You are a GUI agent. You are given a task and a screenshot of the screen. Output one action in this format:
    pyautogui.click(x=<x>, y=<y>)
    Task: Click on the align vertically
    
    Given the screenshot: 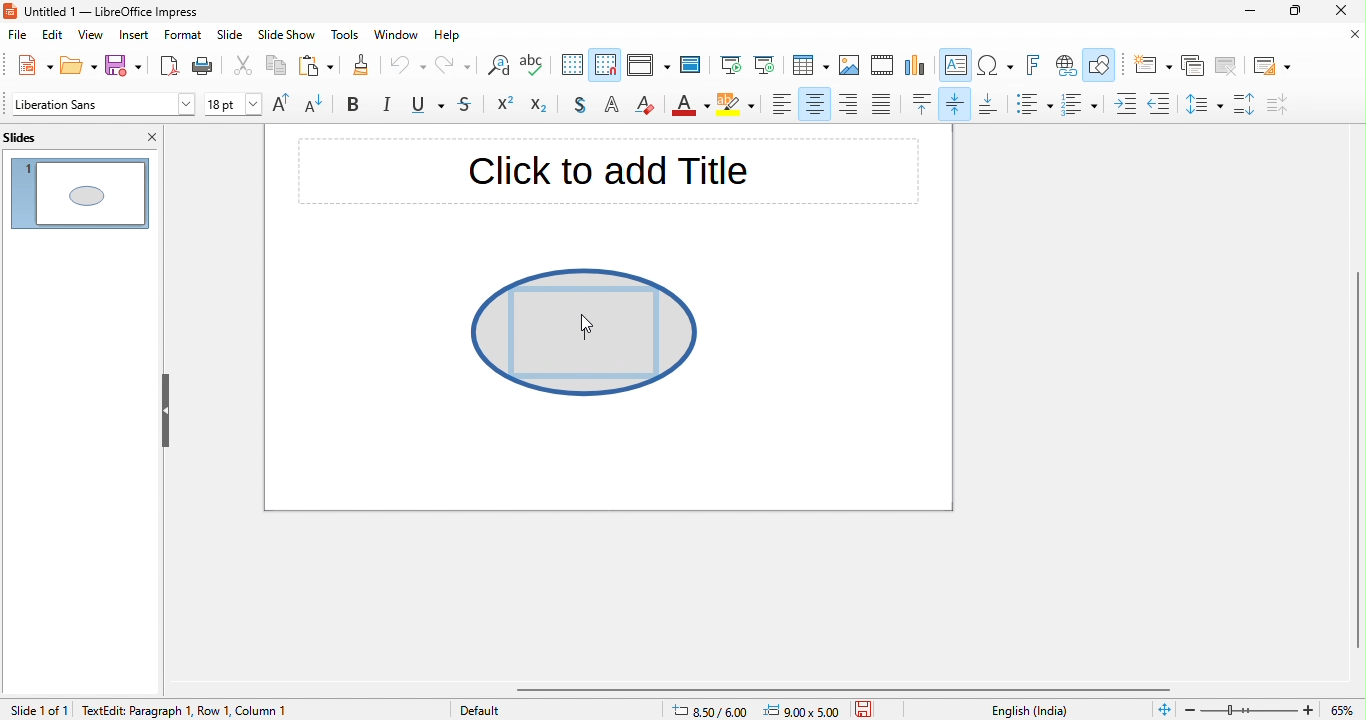 What is the action you would take?
    pyautogui.click(x=957, y=103)
    